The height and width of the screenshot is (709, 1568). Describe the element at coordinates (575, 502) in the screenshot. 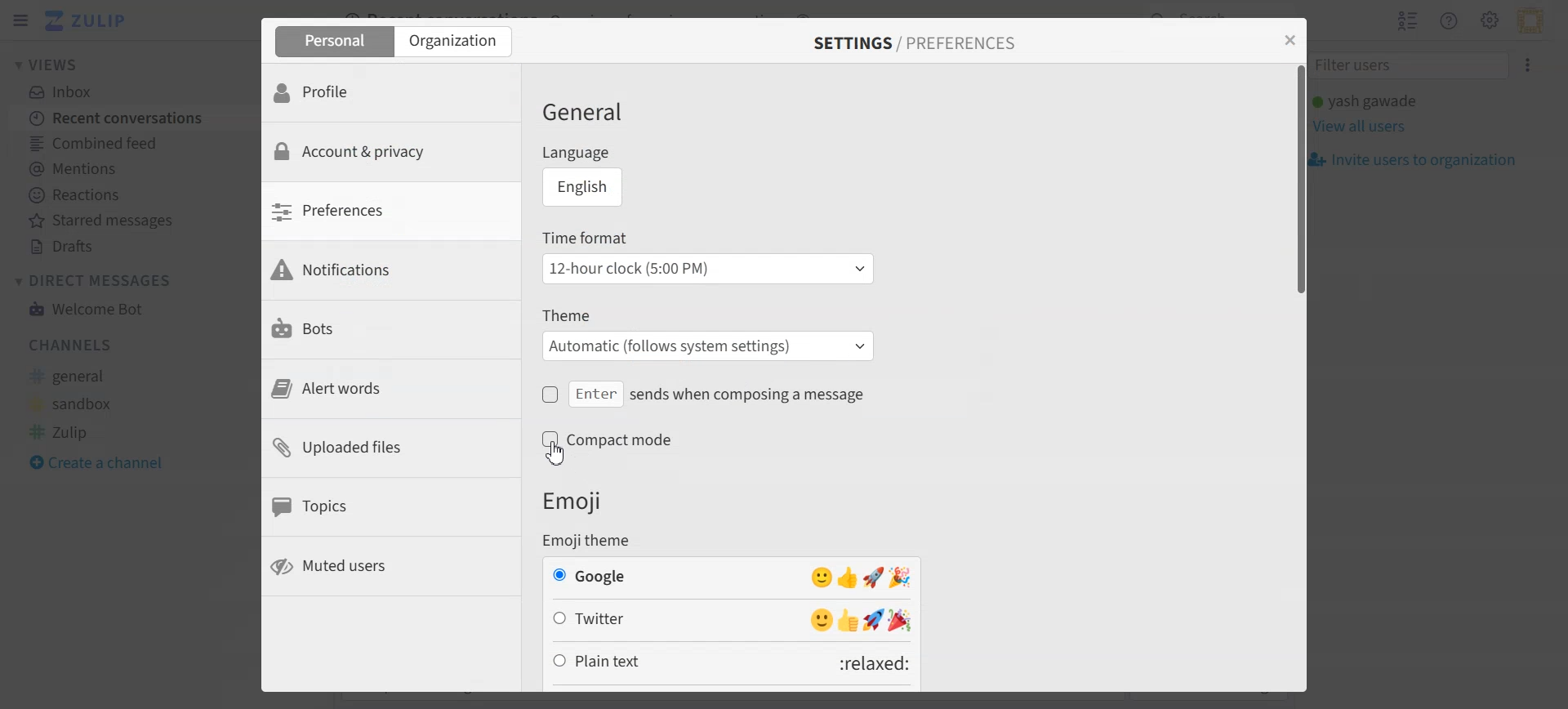

I see `Emoji` at that location.